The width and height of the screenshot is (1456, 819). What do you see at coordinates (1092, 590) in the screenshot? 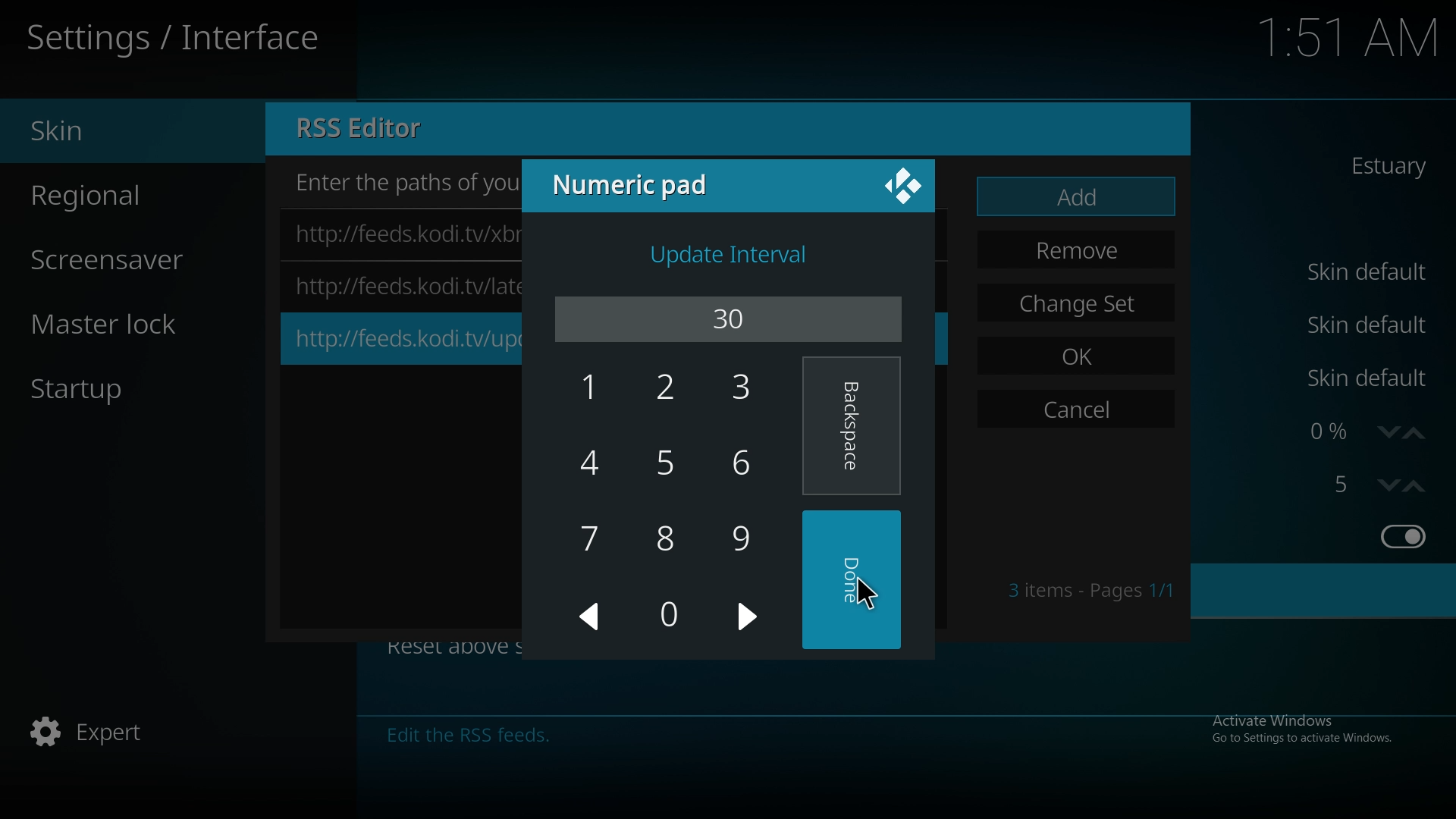
I see `pages` at bounding box center [1092, 590].